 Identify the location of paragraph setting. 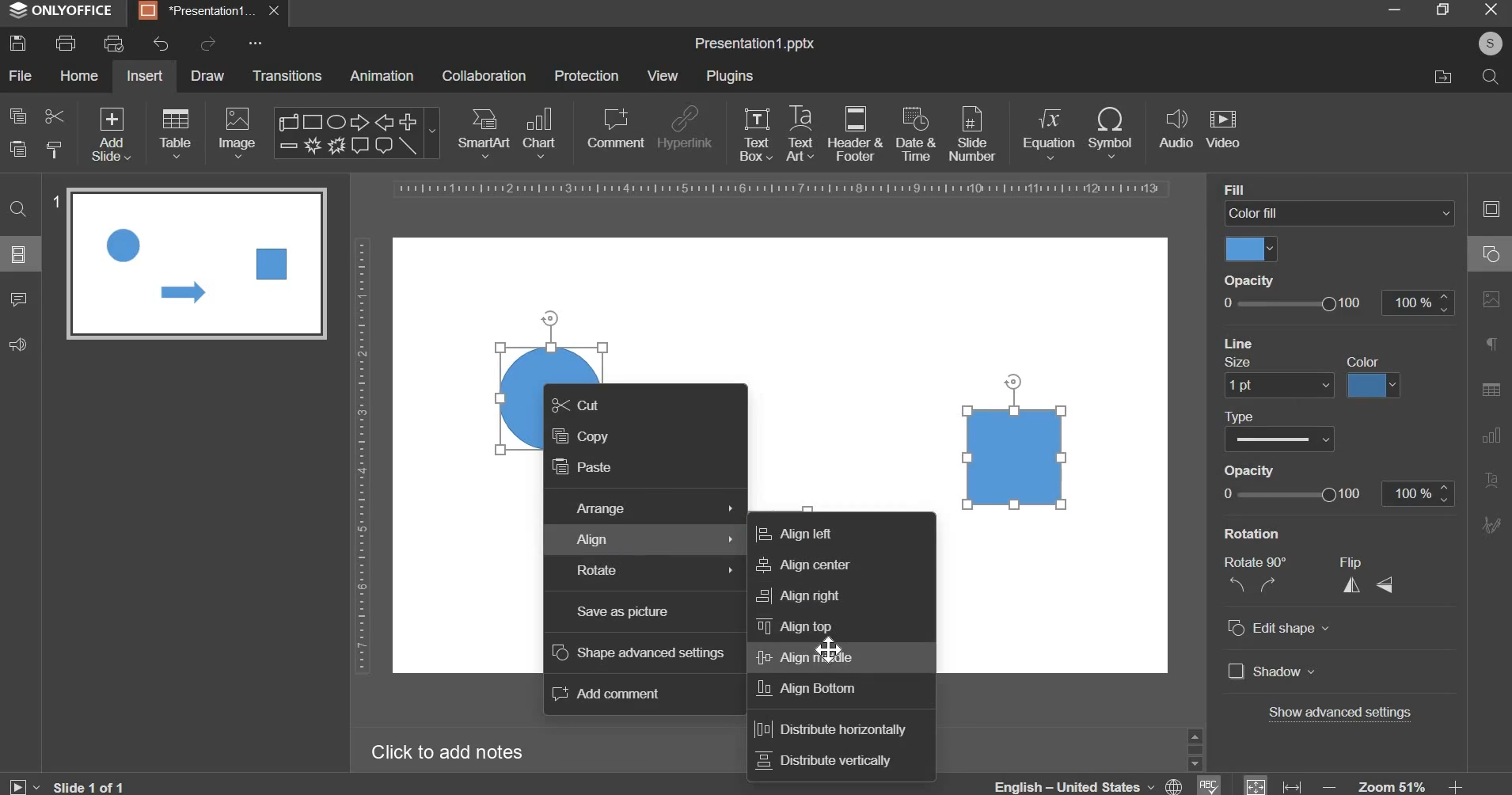
(1492, 346).